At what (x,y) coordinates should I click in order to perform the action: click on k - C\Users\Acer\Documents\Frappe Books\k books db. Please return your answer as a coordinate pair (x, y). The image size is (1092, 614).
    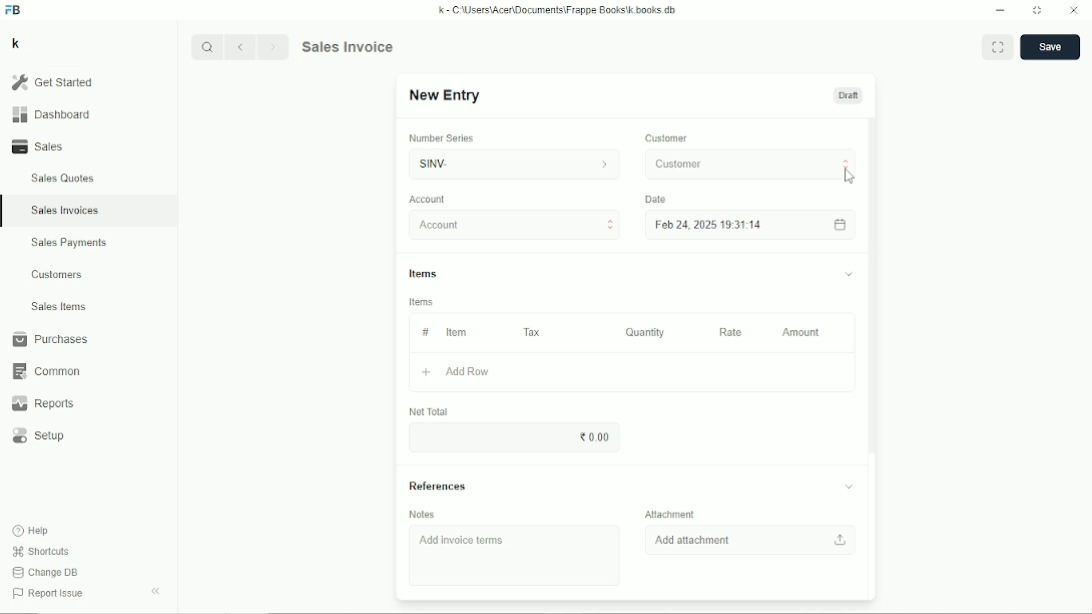
    Looking at the image, I should click on (559, 9).